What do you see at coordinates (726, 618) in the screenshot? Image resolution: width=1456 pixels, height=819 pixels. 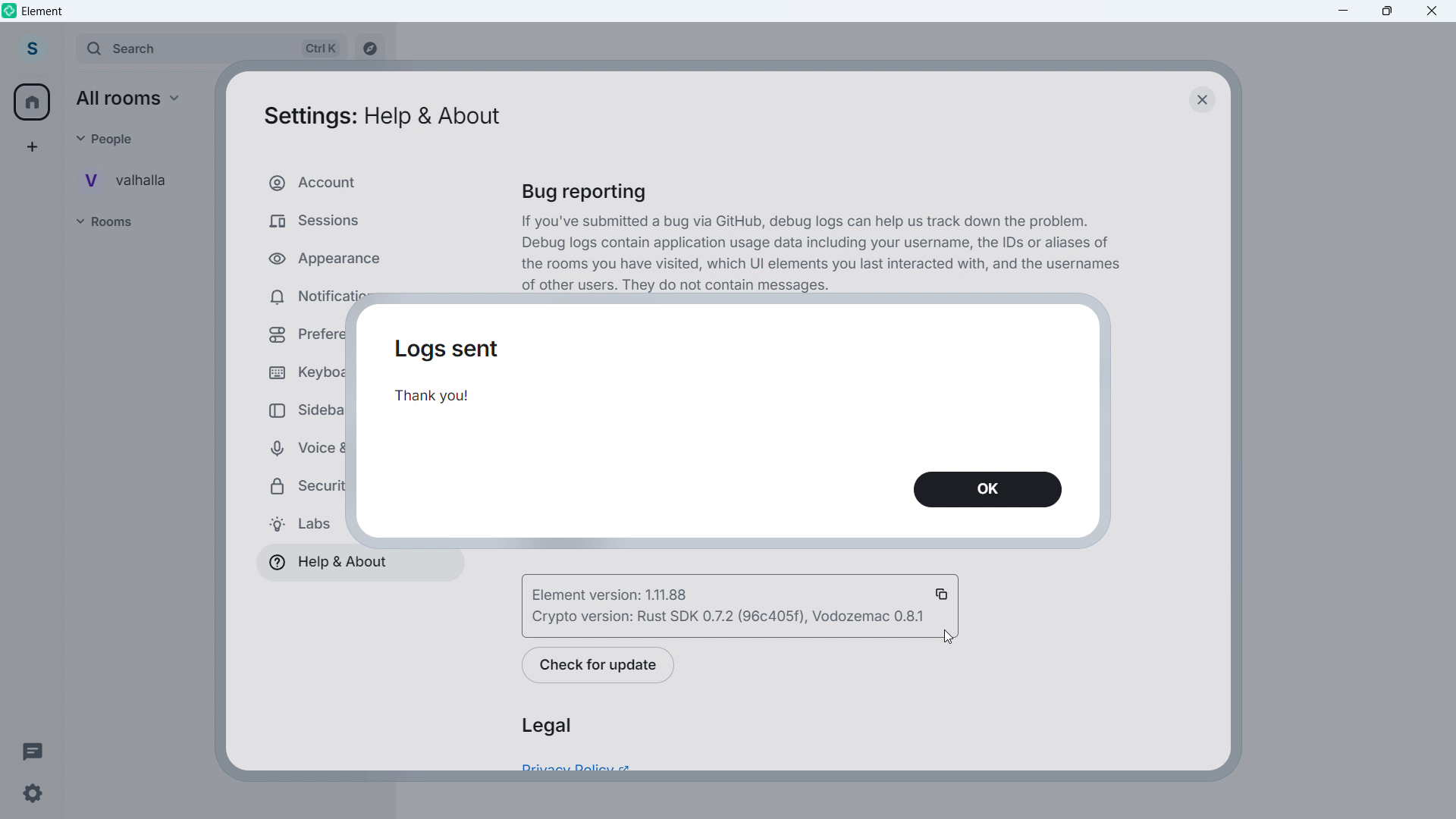 I see `crypto version: Rust SDK 0.7.2(96c405f), Vodozemac 0.8.1` at bounding box center [726, 618].